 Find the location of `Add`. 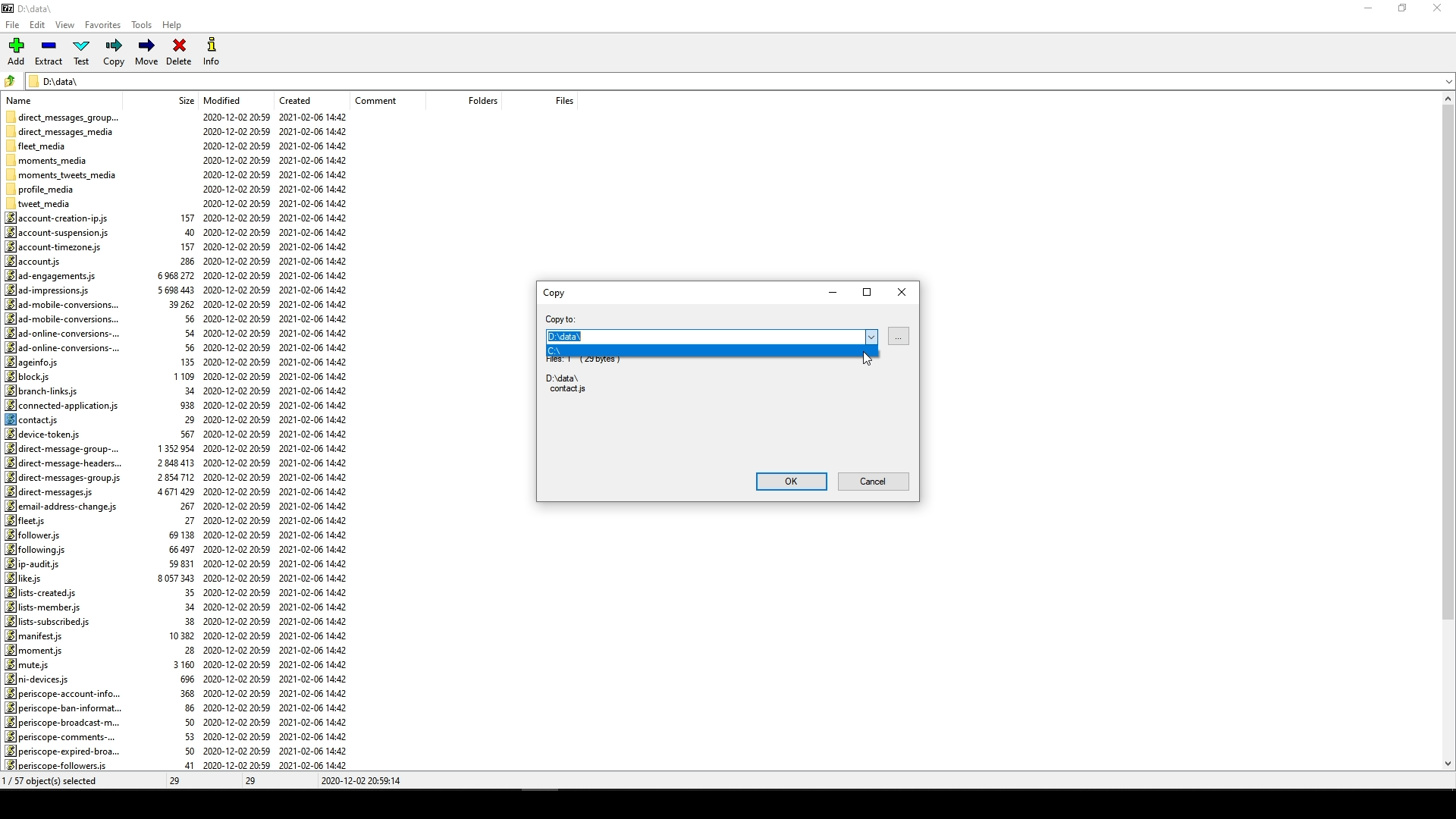

Add is located at coordinates (20, 51).